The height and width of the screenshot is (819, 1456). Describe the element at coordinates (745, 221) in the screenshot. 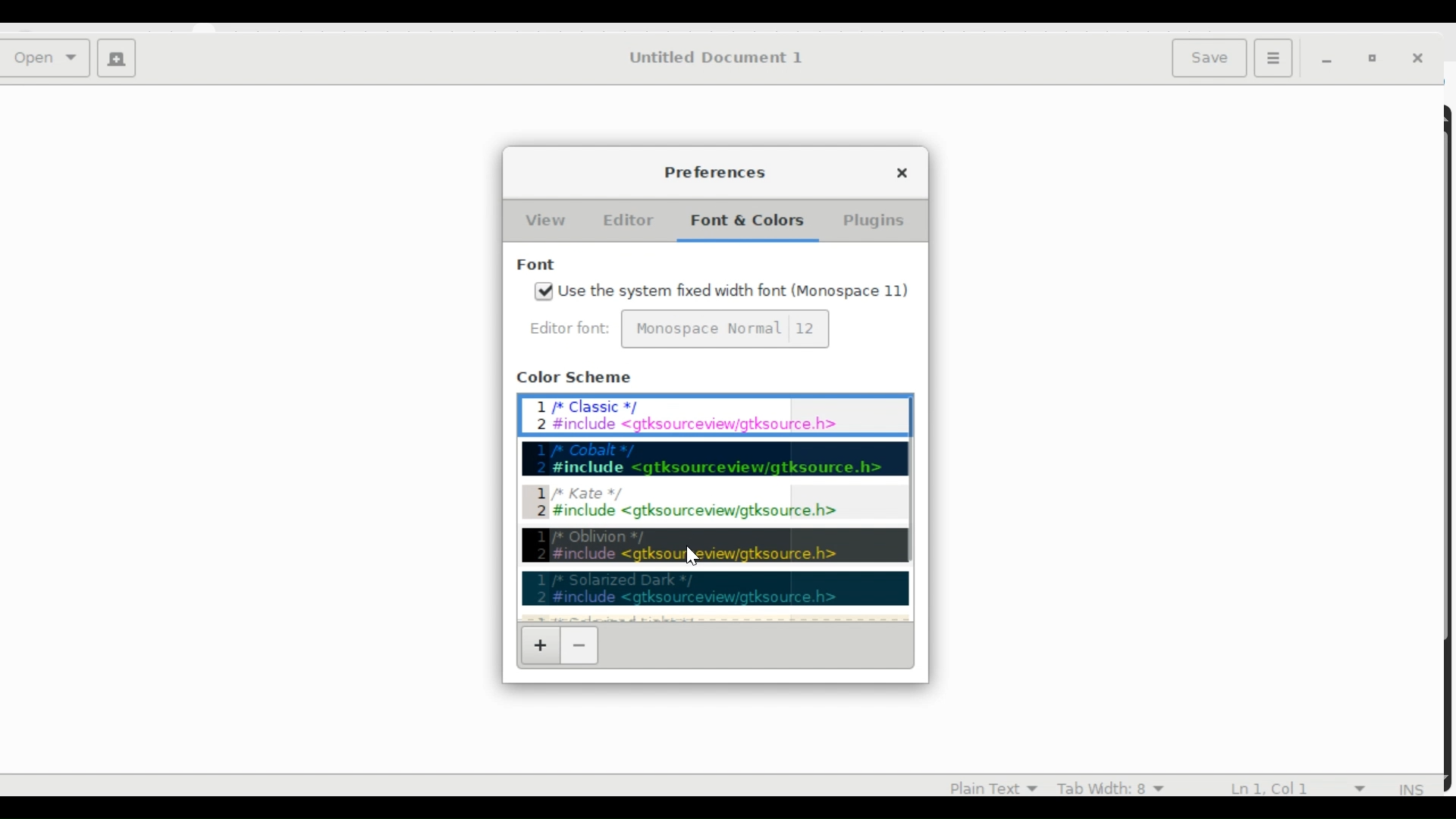

I see `selected Font & Color tab` at that location.